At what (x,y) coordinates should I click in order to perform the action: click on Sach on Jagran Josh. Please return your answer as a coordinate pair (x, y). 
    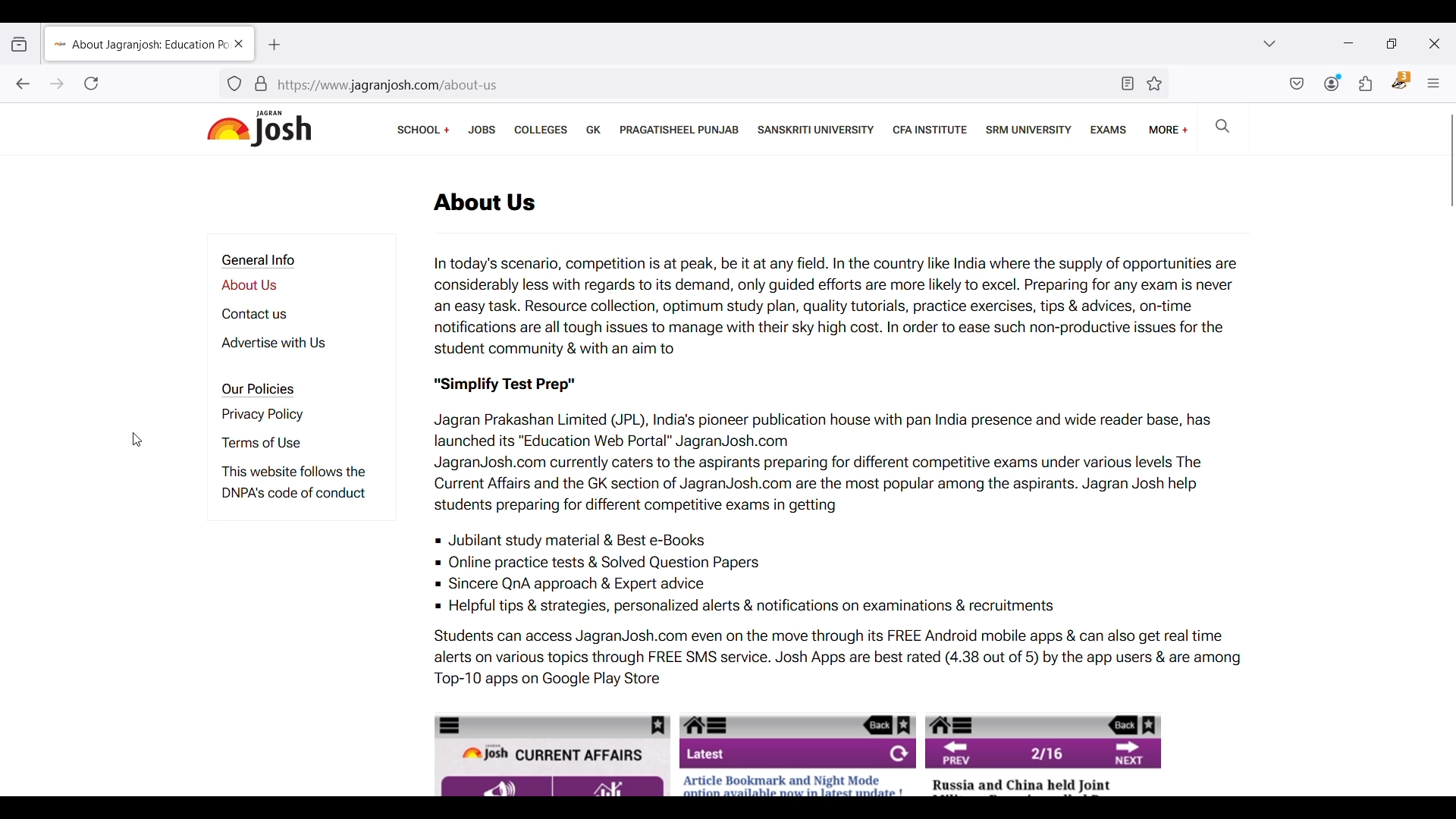
    Looking at the image, I should click on (1221, 125).